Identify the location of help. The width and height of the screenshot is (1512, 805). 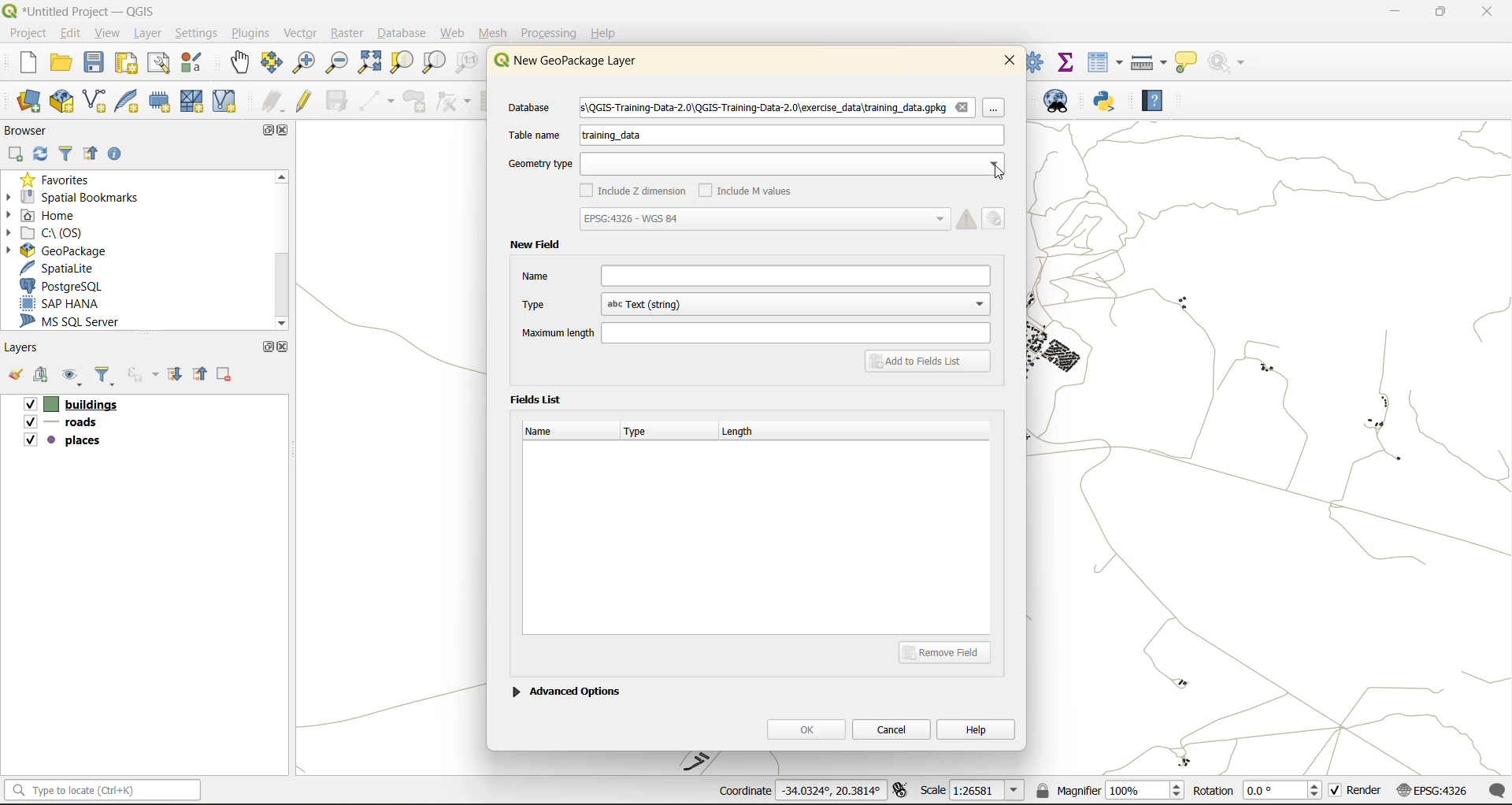
(1152, 103).